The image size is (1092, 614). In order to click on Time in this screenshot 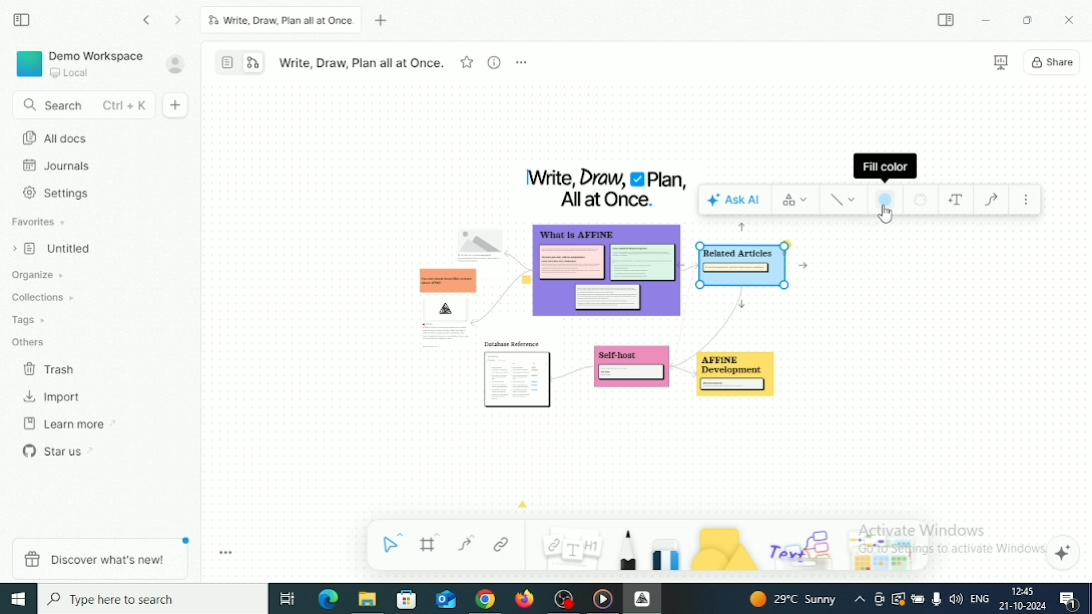, I will do `click(1026, 591)`.